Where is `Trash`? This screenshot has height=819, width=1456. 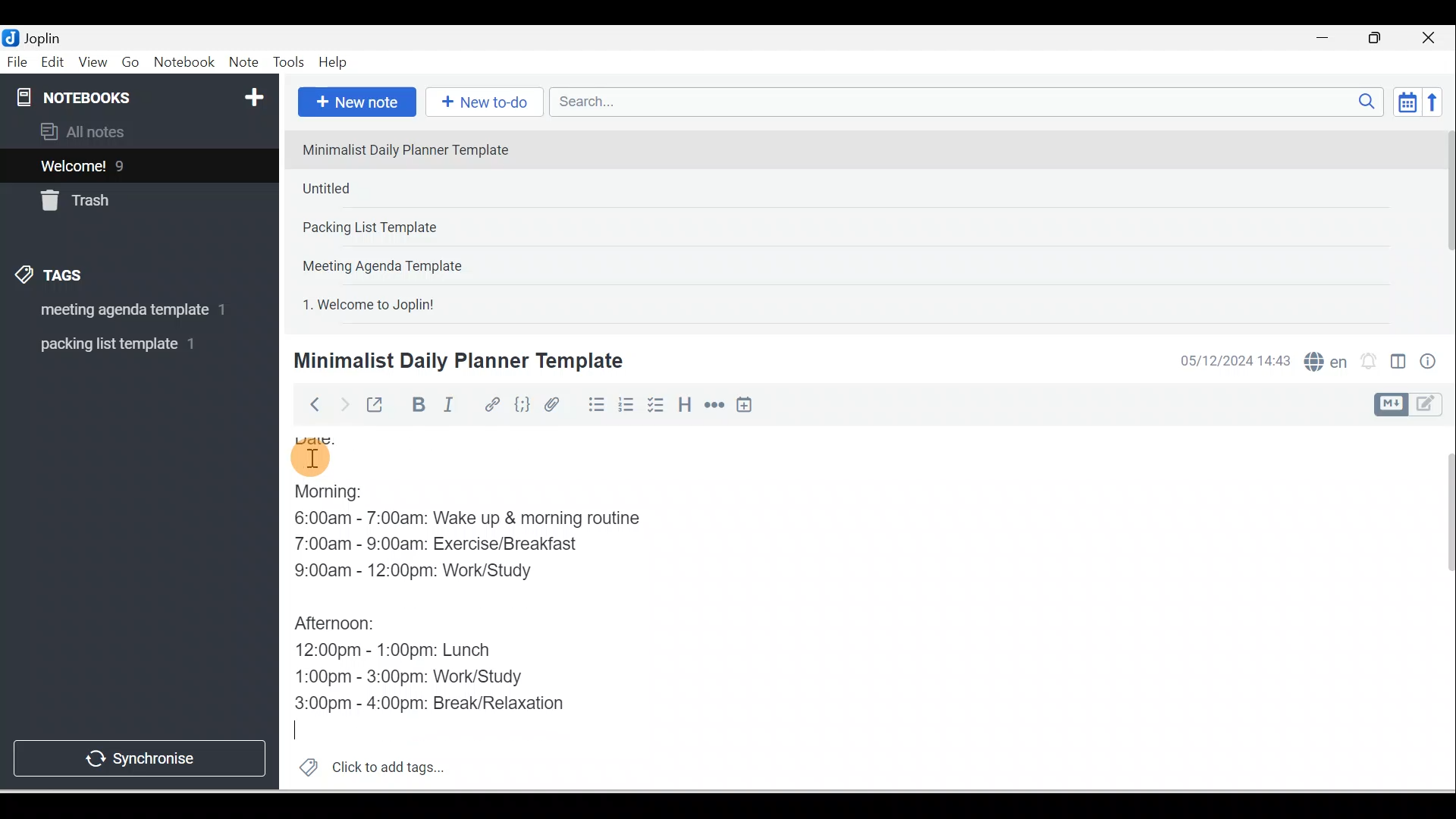
Trash is located at coordinates (111, 196).